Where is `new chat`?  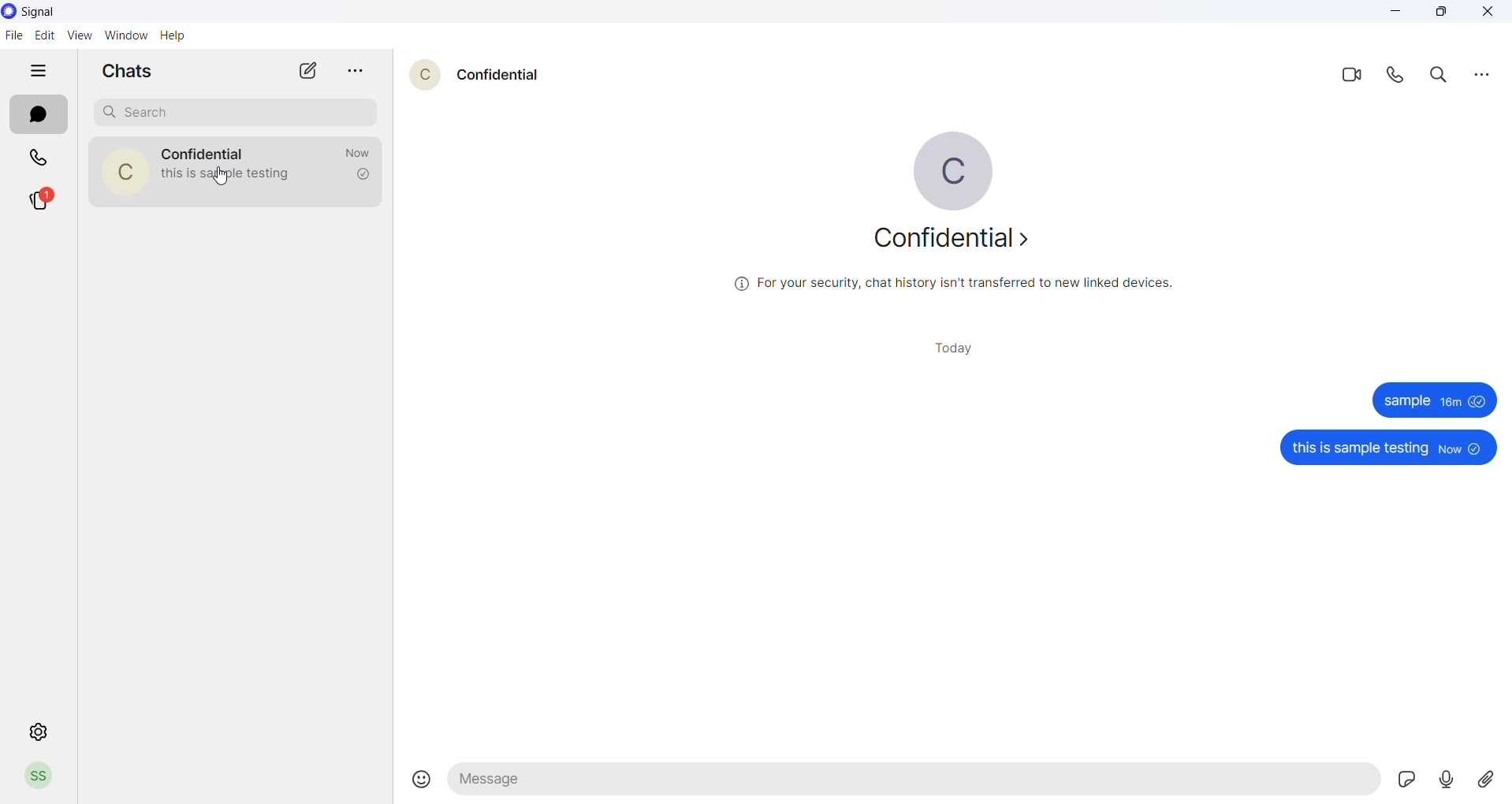
new chat is located at coordinates (297, 71).